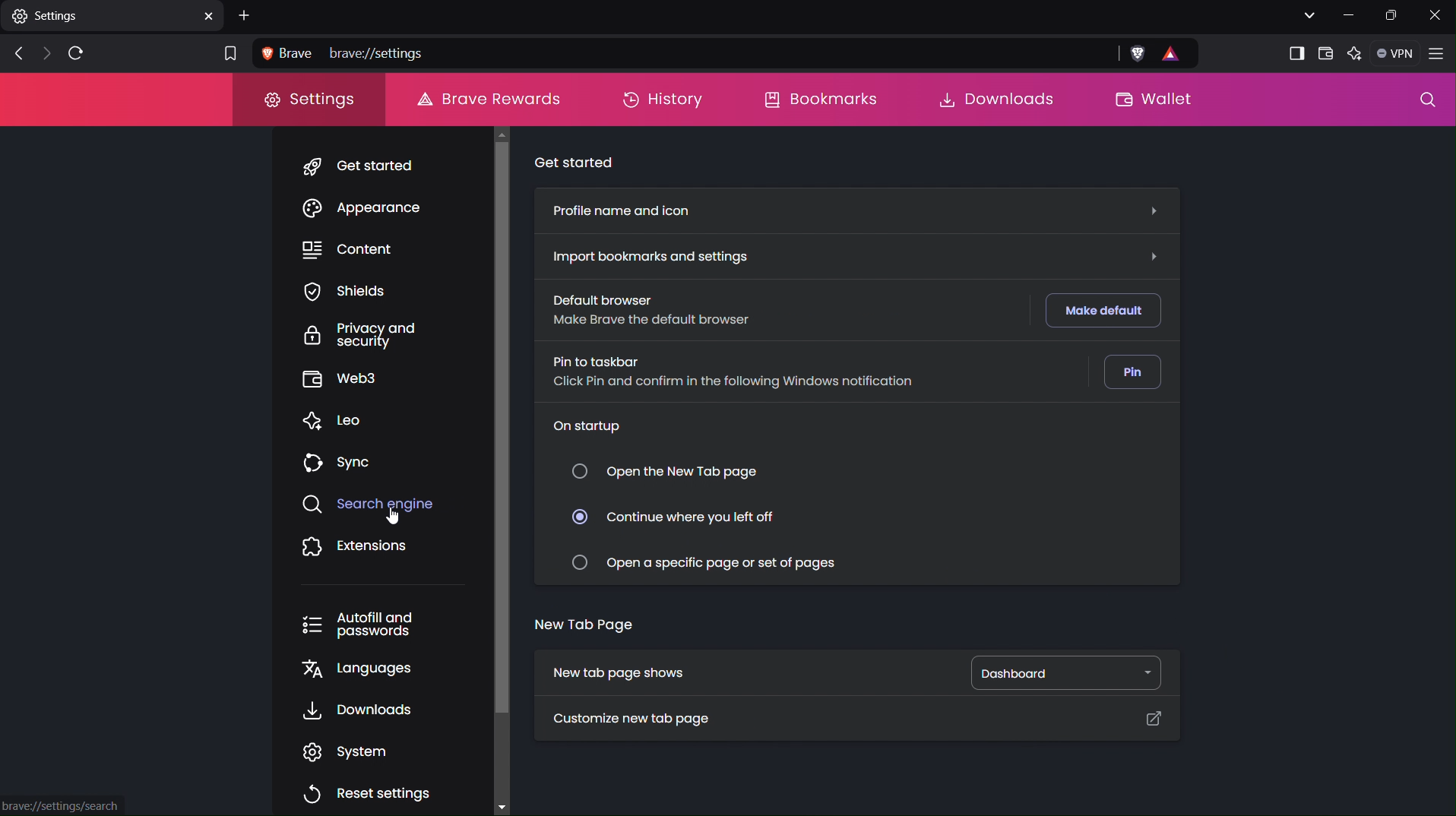  I want to click on cursor, so click(392, 513).